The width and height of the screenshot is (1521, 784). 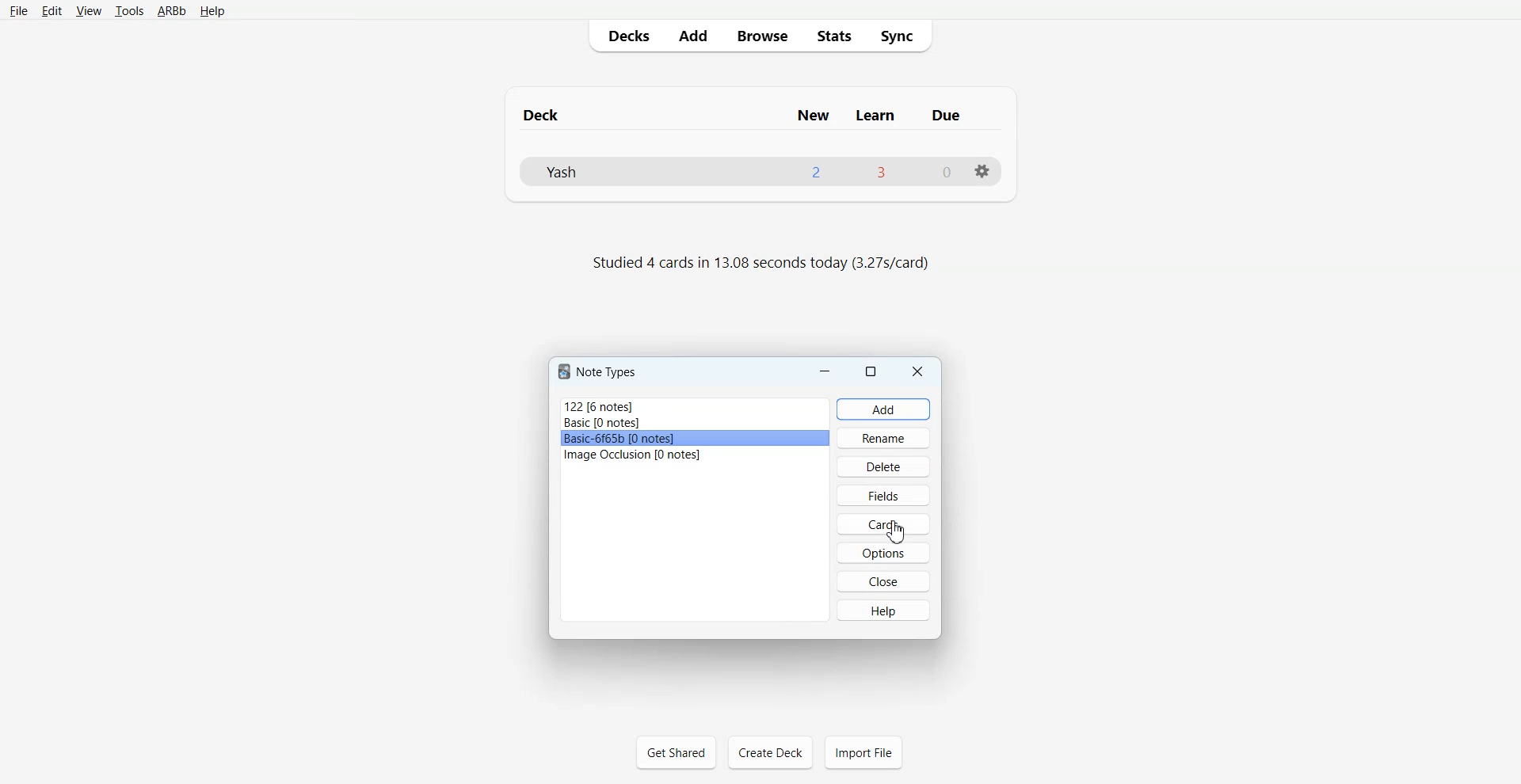 I want to click on Create Deck, so click(x=770, y=752).